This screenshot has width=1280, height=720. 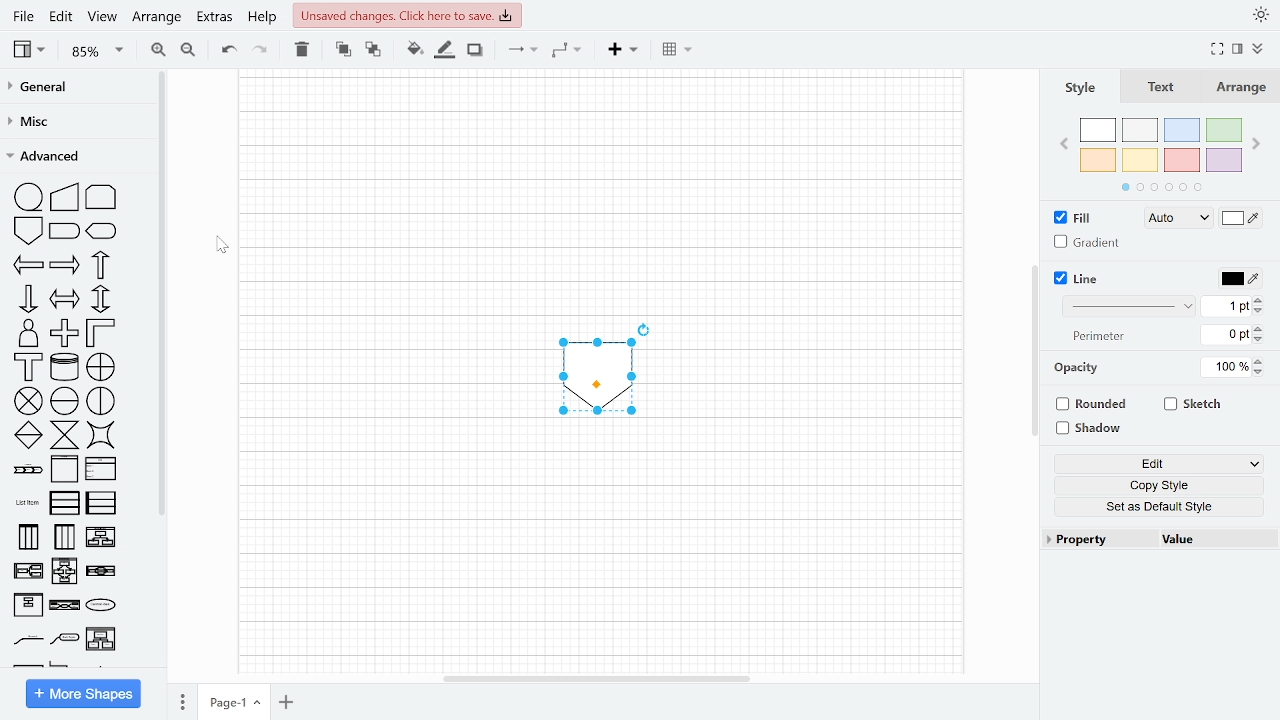 I want to click on Increase line width, so click(x=1259, y=300).